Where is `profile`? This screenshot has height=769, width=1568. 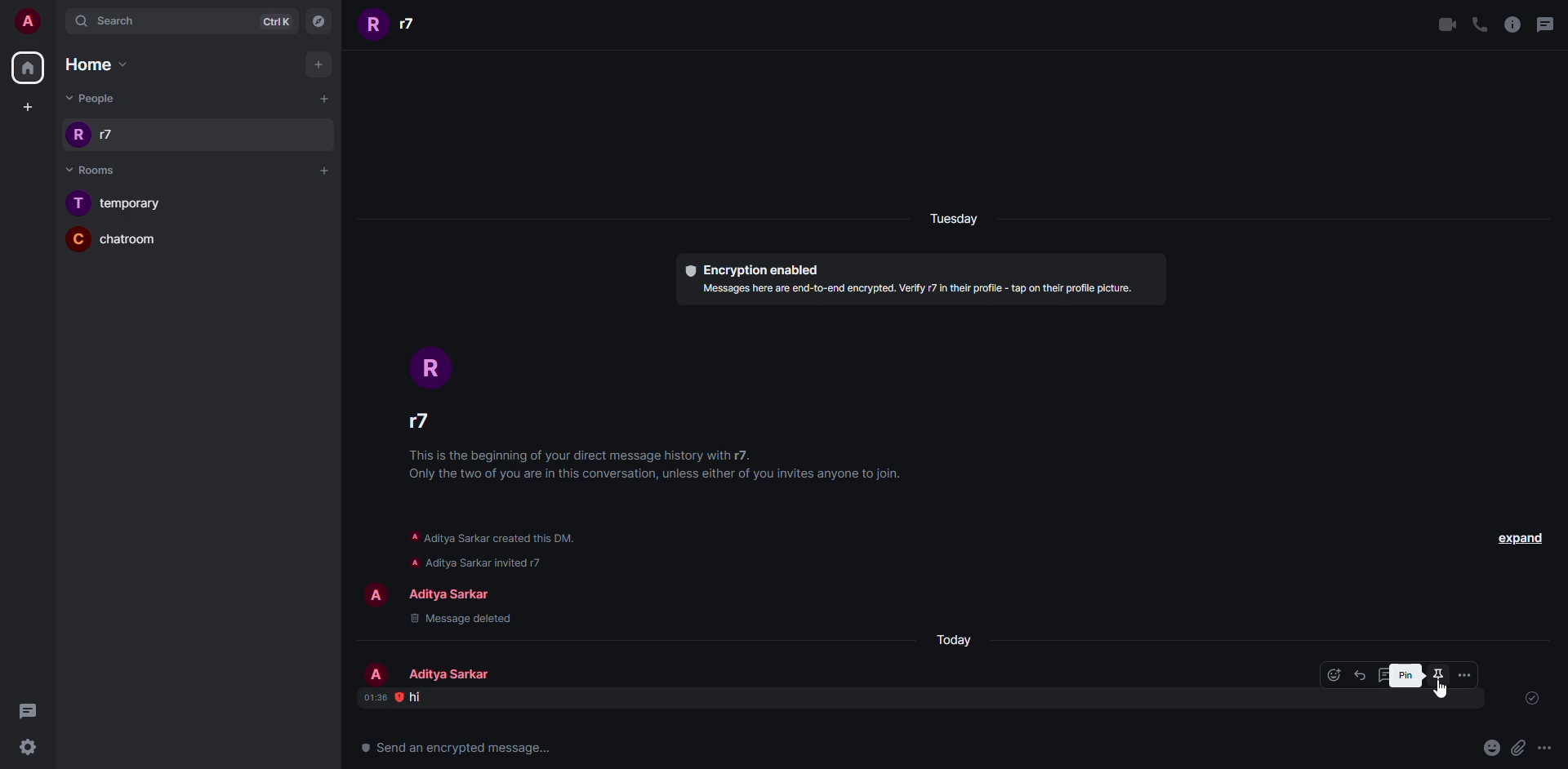
profile is located at coordinates (376, 596).